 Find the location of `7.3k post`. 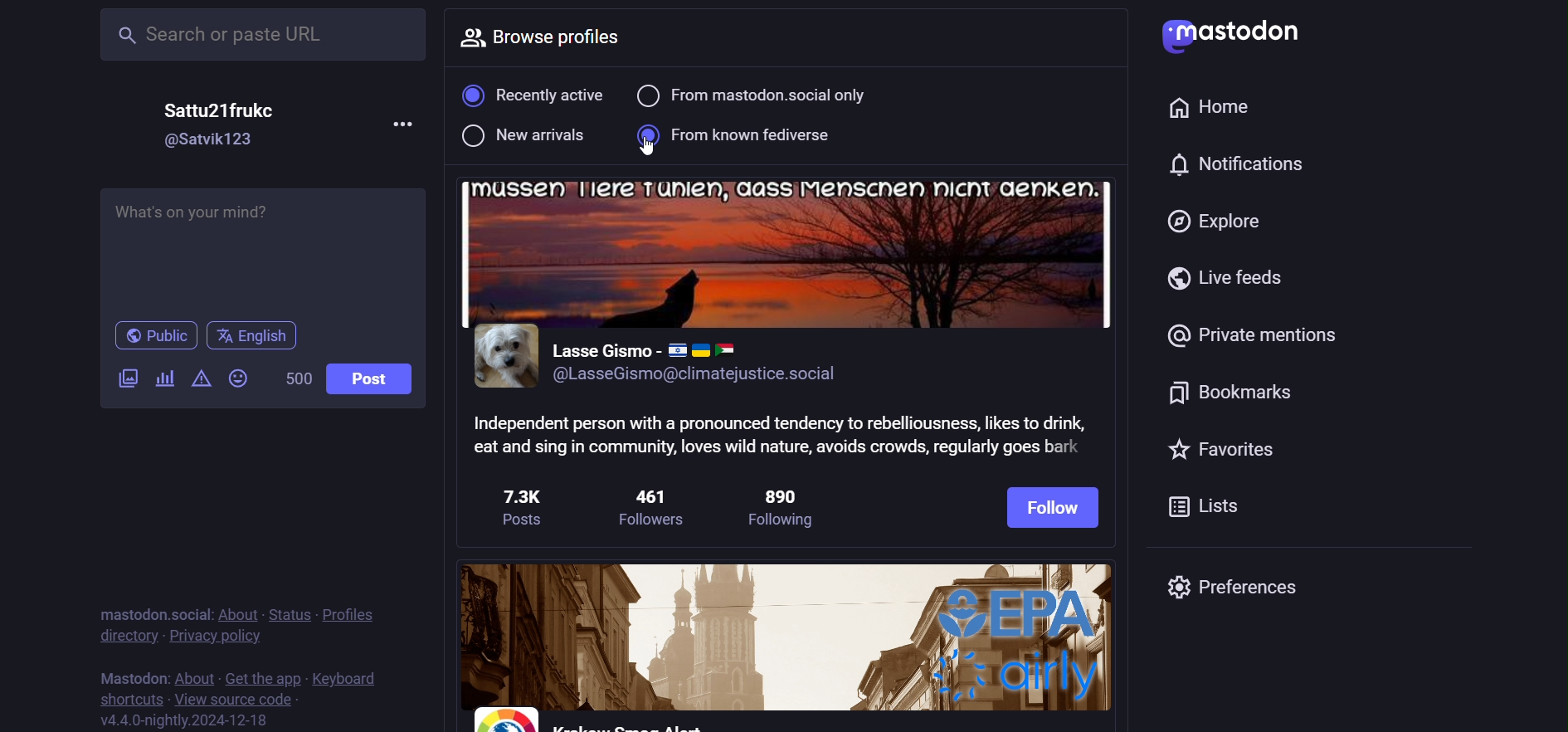

7.3k post is located at coordinates (521, 510).